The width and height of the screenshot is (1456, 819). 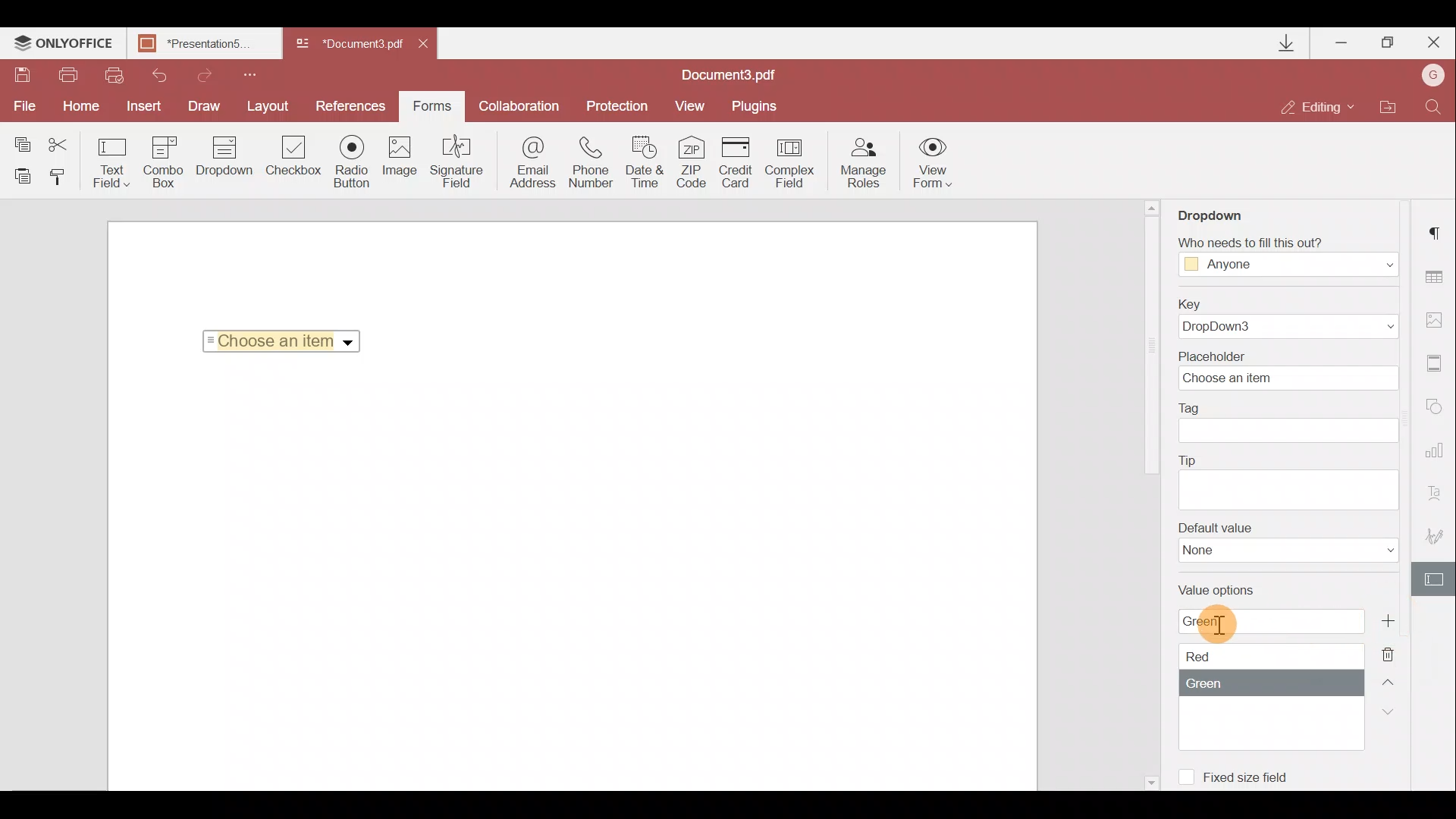 What do you see at coordinates (1266, 667) in the screenshot?
I see `Value options` at bounding box center [1266, 667].